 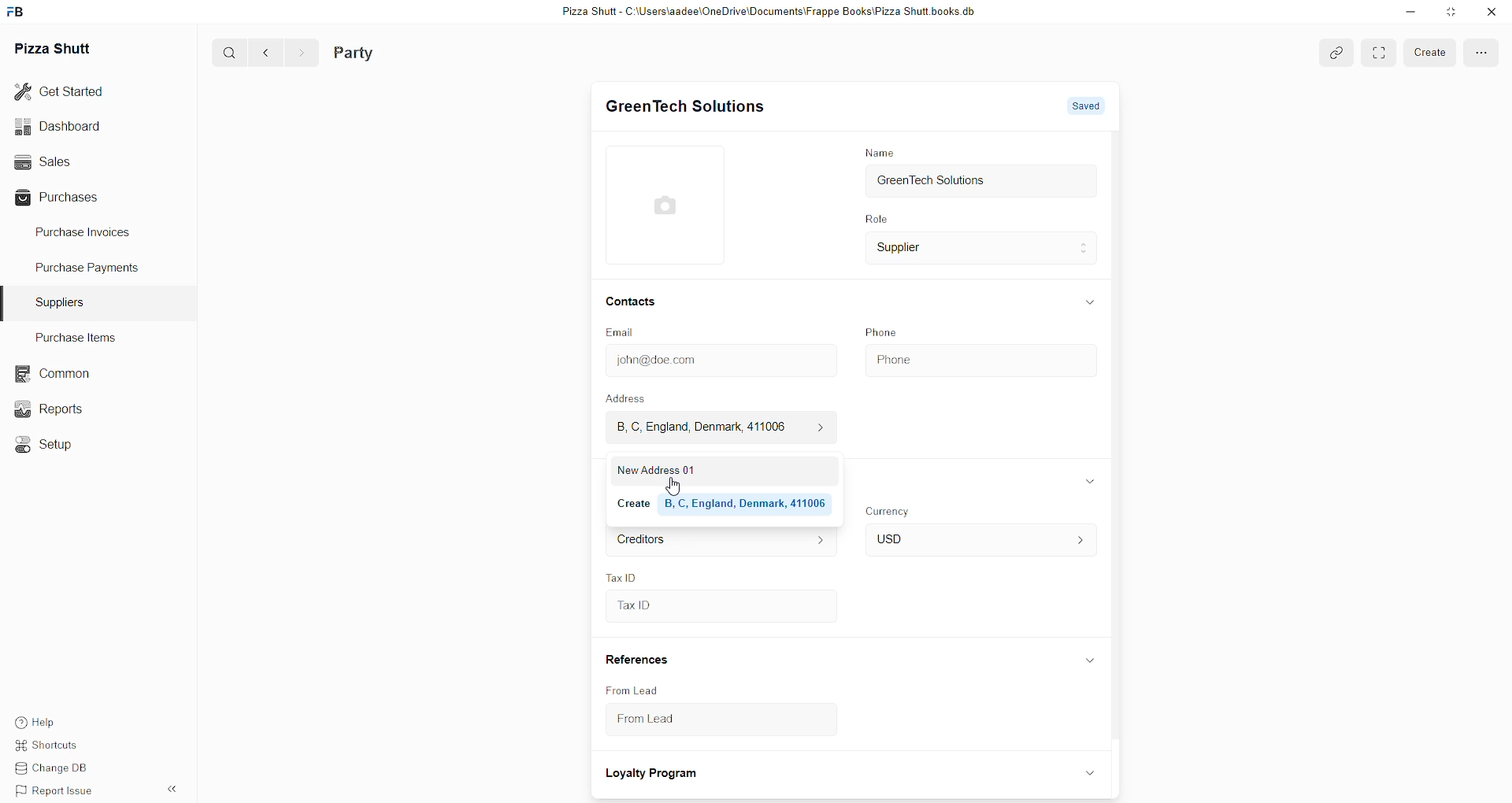 I want to click on GreenTech Solutions, so click(x=685, y=107).